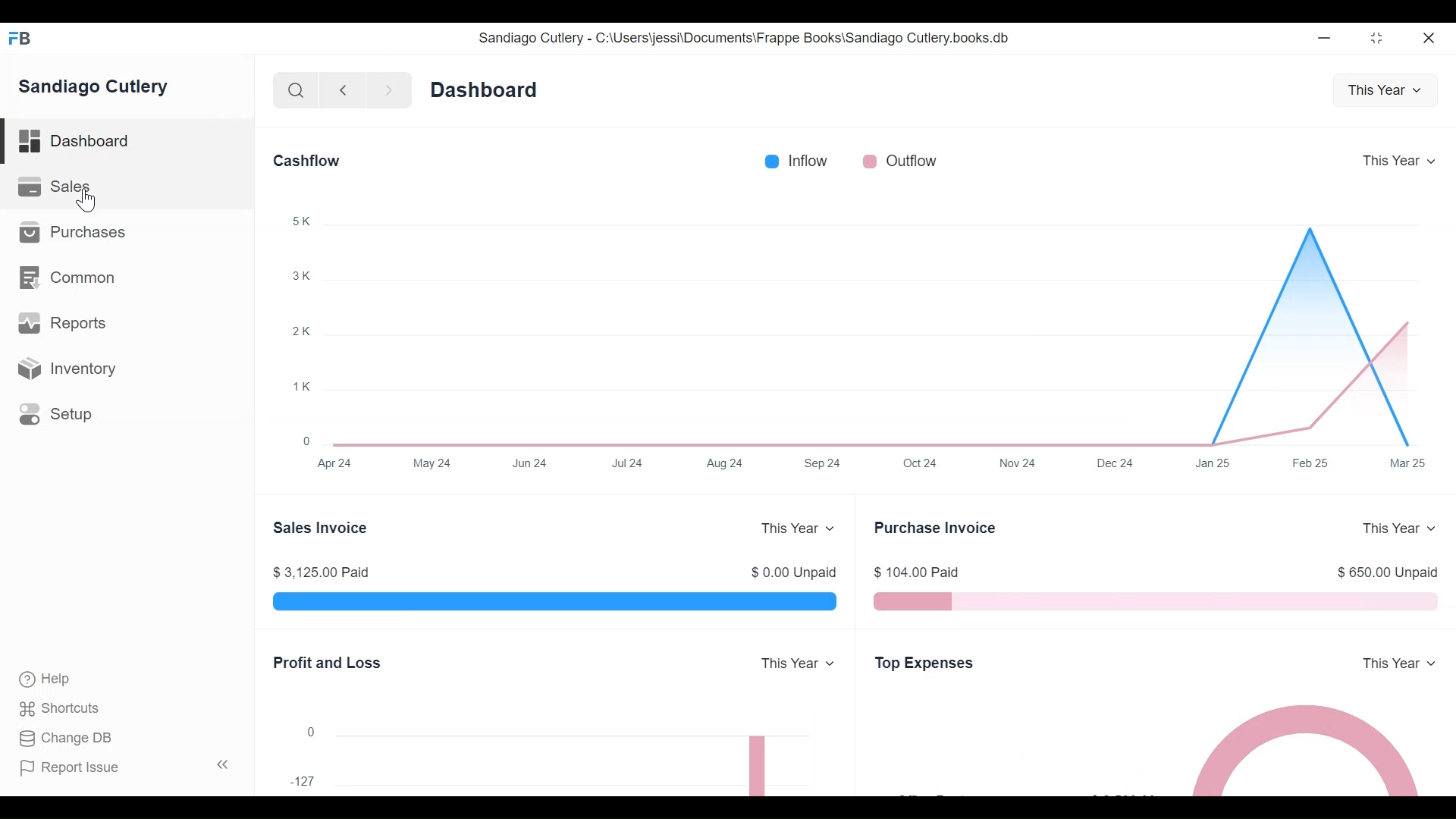 The image size is (1456, 819). What do you see at coordinates (60, 708) in the screenshot?
I see `Shortcuts` at bounding box center [60, 708].